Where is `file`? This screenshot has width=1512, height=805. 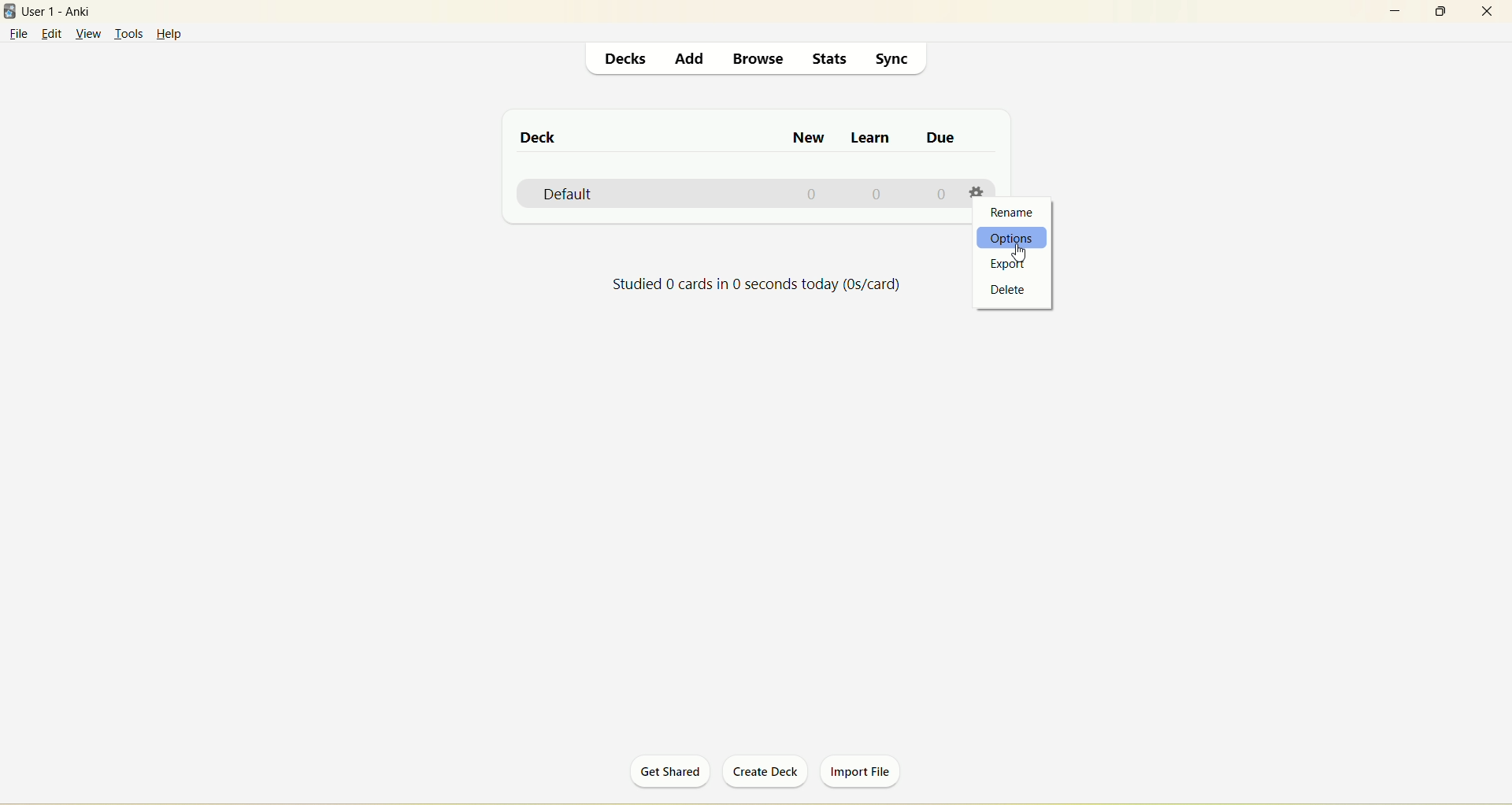 file is located at coordinates (20, 34).